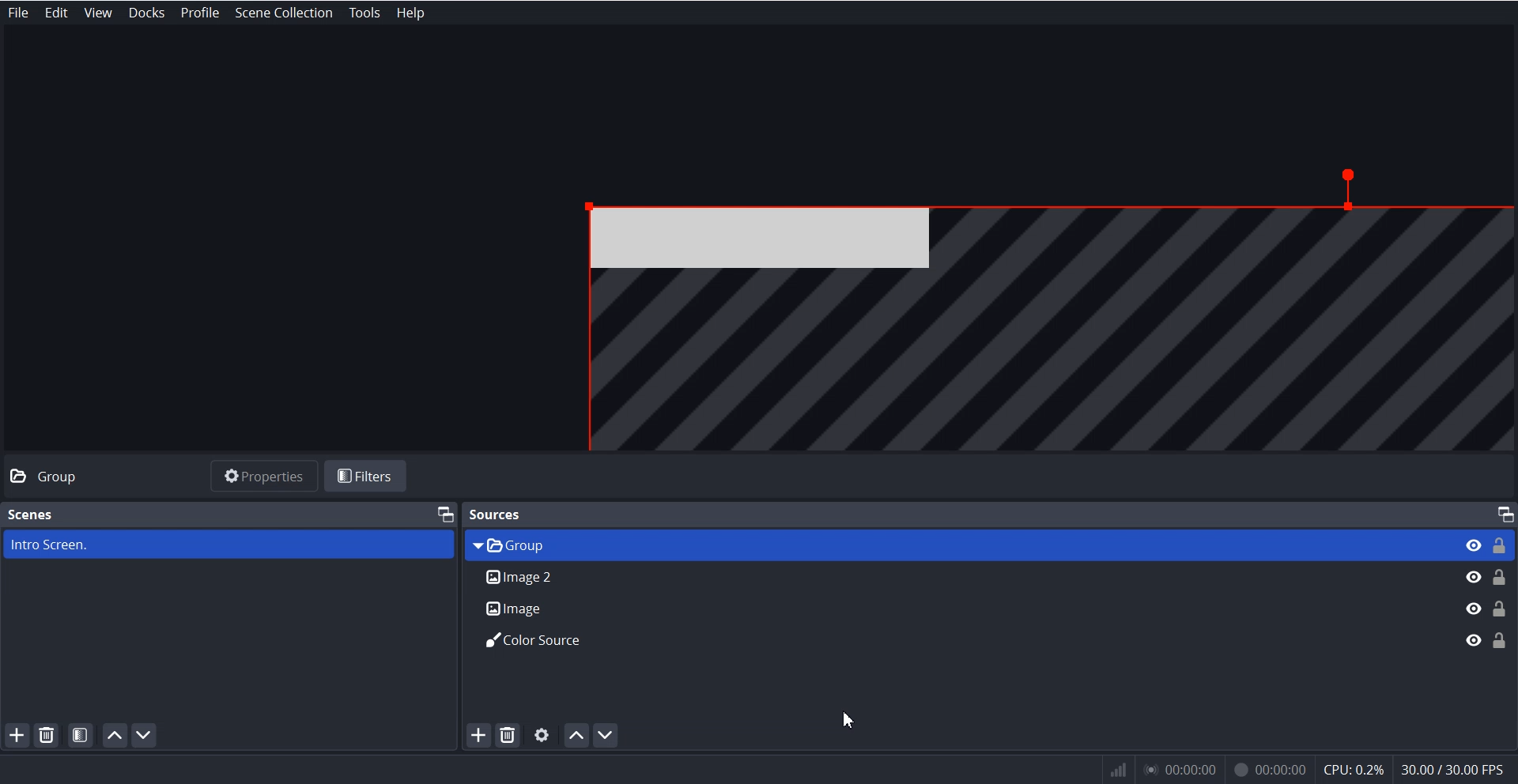 The height and width of the screenshot is (784, 1518). I want to click on Open source properties, so click(542, 735).